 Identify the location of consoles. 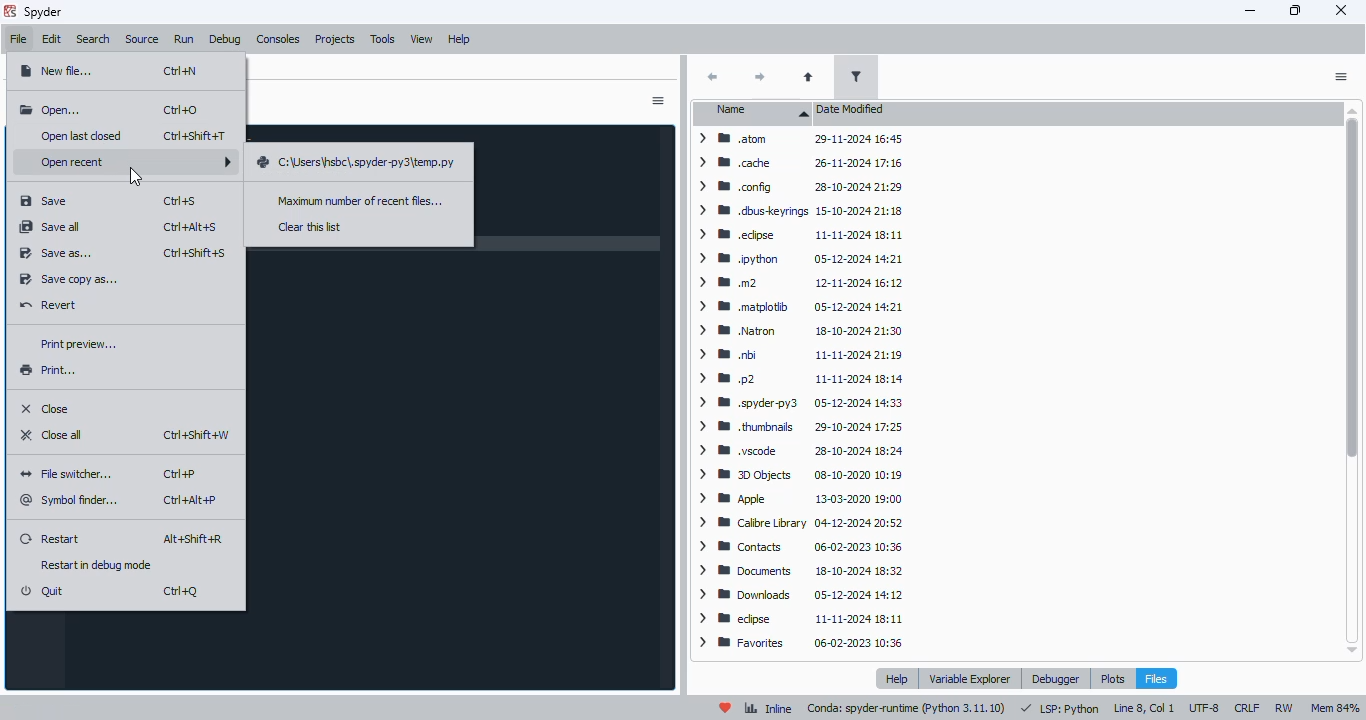
(278, 39).